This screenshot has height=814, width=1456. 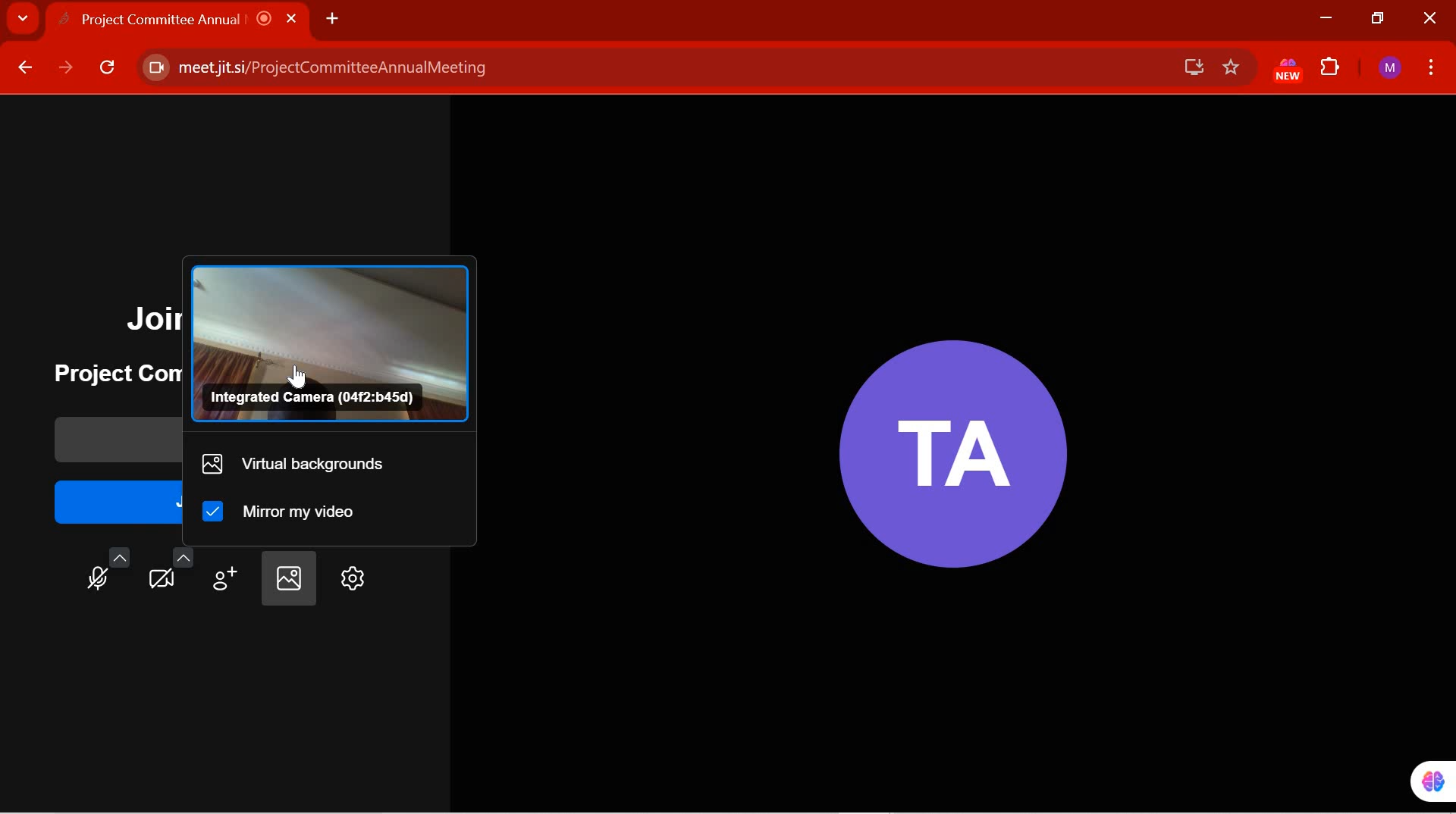 What do you see at coordinates (104, 573) in the screenshot?
I see `Microphone` at bounding box center [104, 573].